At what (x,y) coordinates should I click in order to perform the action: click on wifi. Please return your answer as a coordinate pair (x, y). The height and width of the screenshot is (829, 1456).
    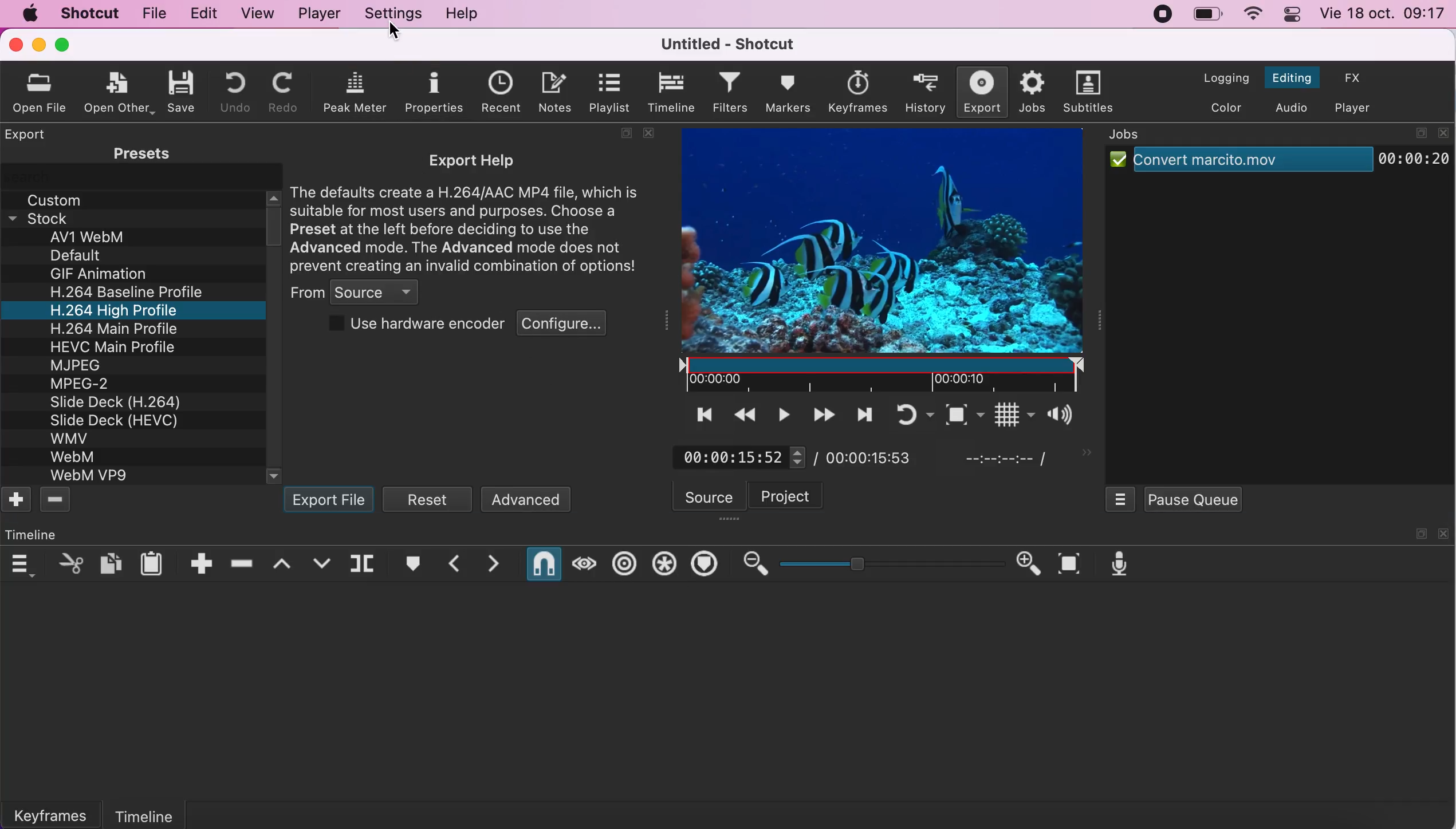
    Looking at the image, I should click on (1250, 15).